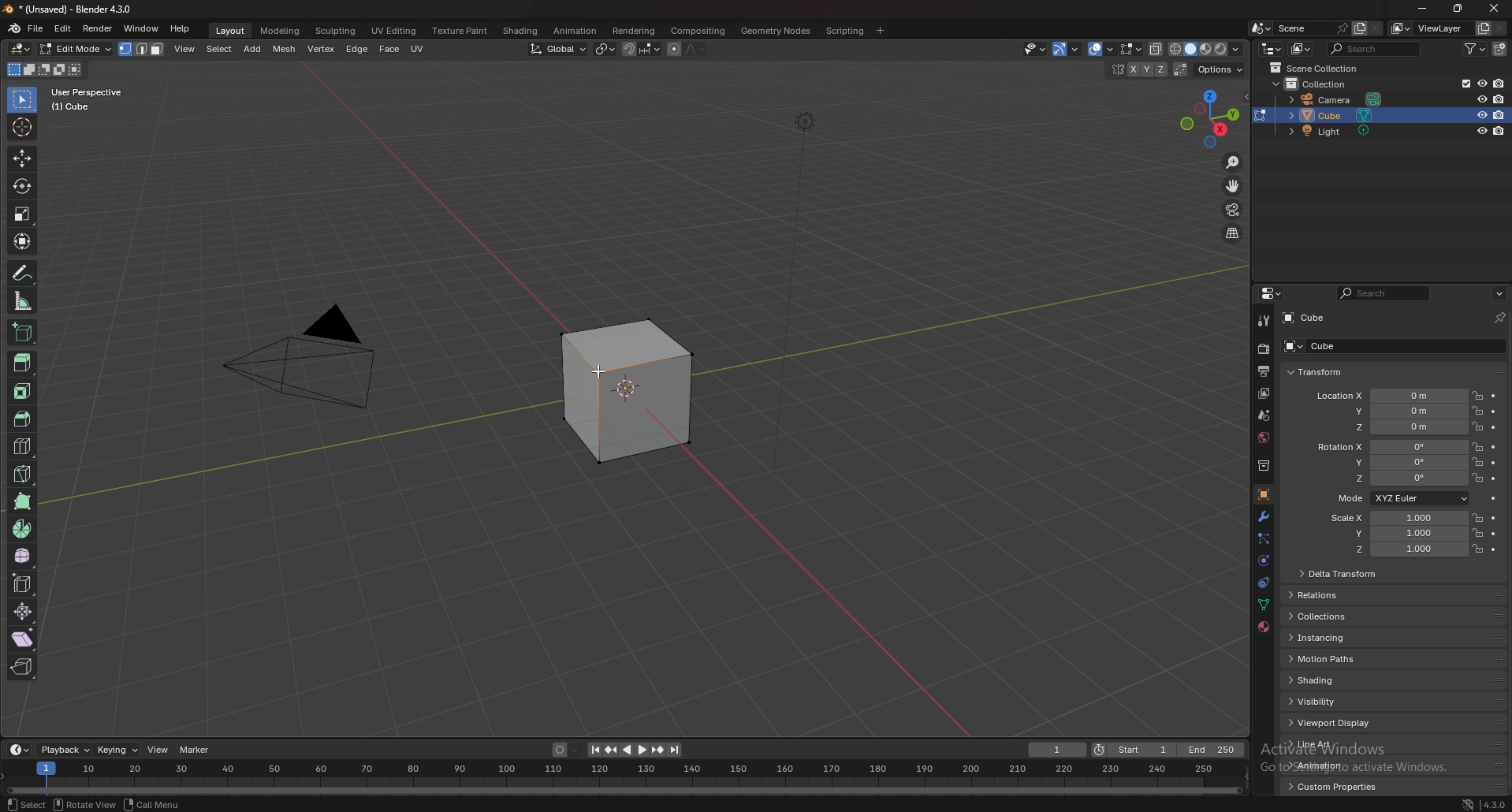 The height and width of the screenshot is (812, 1512). What do you see at coordinates (1360, 28) in the screenshot?
I see `new scene` at bounding box center [1360, 28].